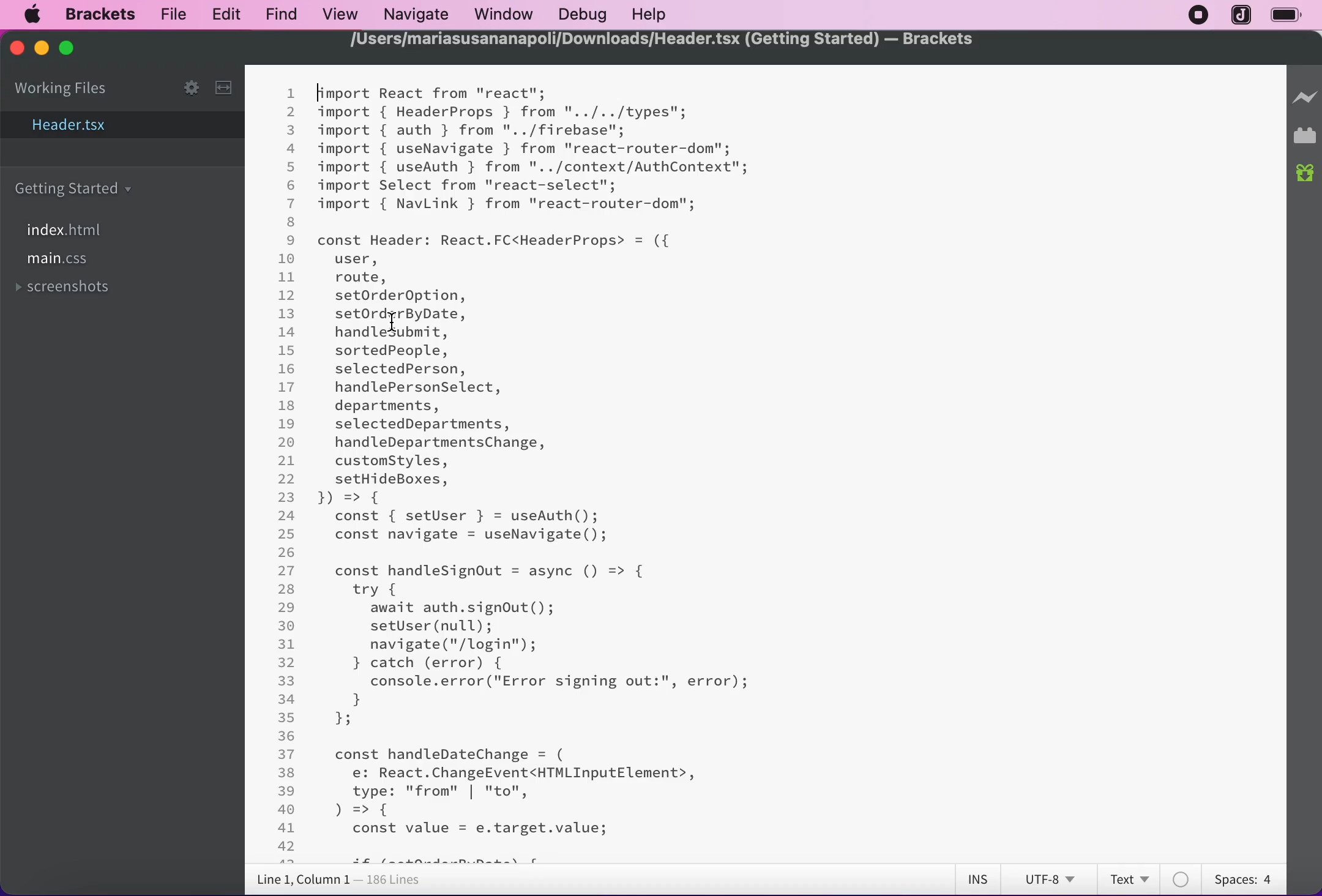  I want to click on 30, so click(285, 626).